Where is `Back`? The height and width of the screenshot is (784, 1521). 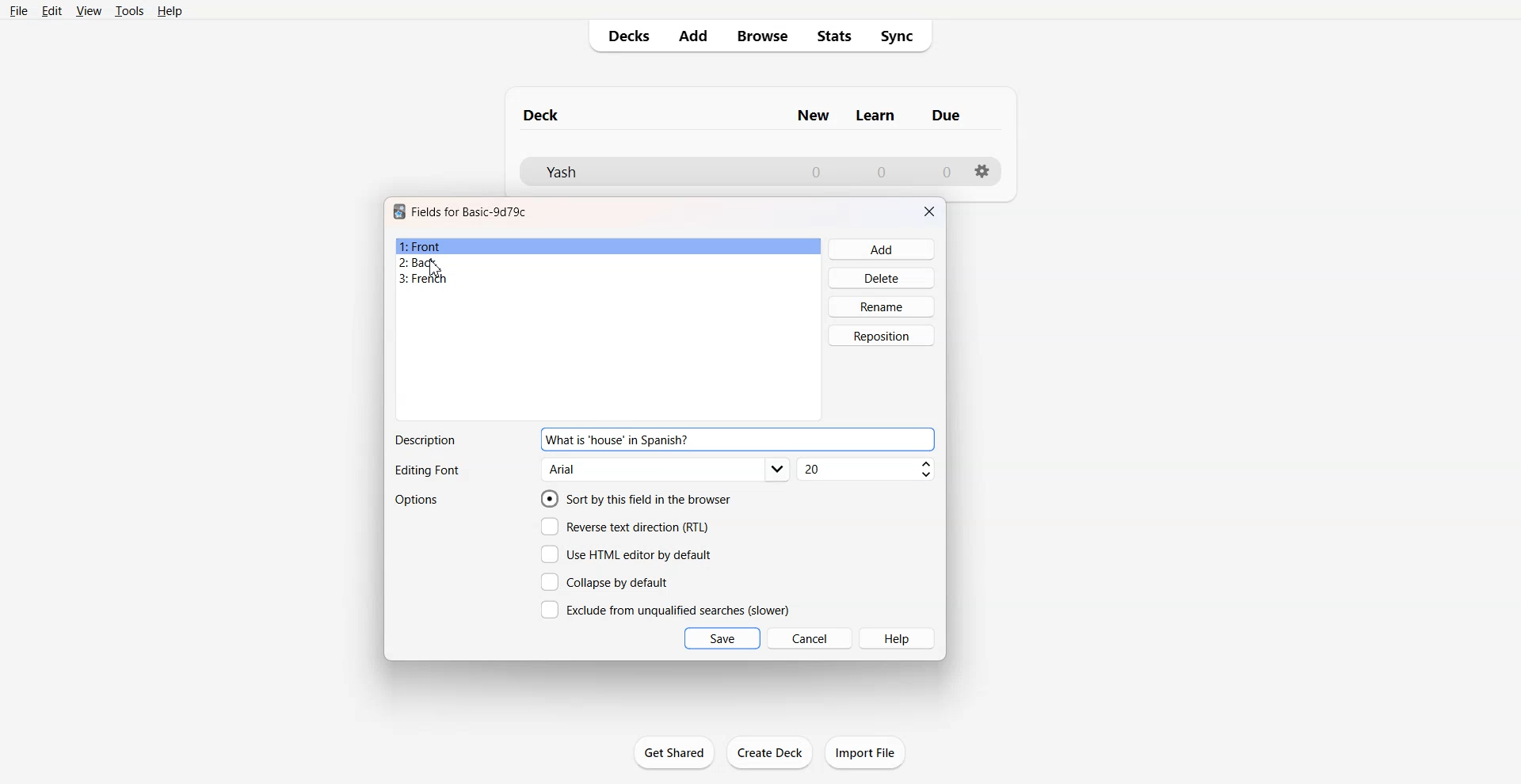
Back is located at coordinates (608, 262).